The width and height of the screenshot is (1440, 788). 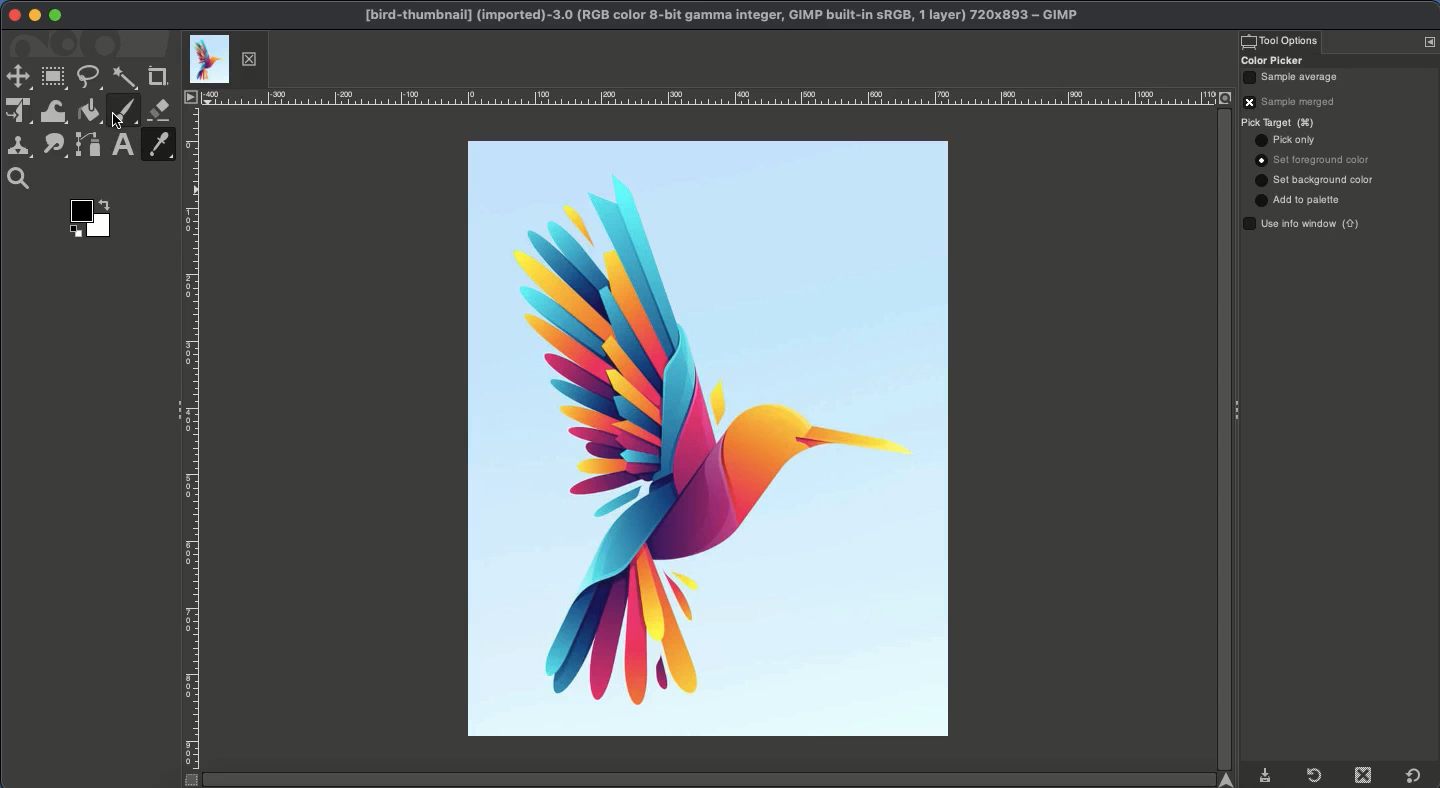 I want to click on Fuzzy selector, so click(x=125, y=79).